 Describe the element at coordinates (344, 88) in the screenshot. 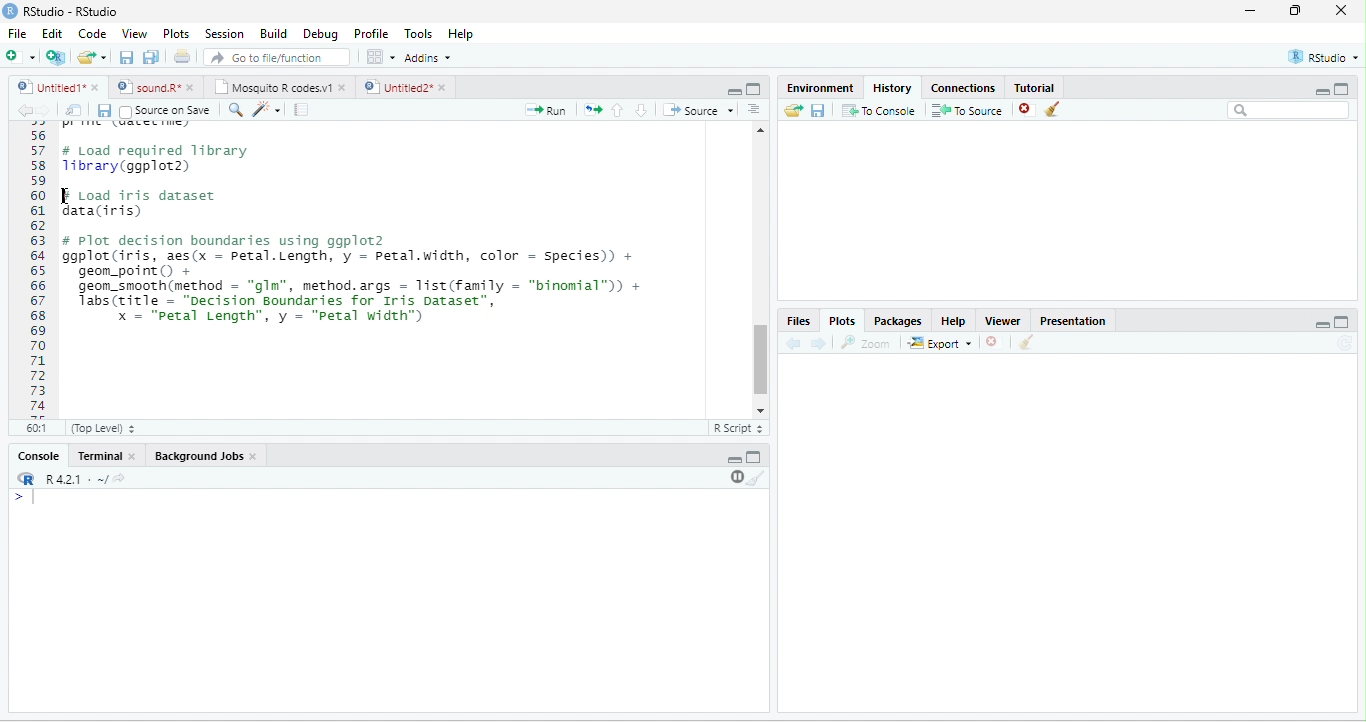

I see `close` at that location.